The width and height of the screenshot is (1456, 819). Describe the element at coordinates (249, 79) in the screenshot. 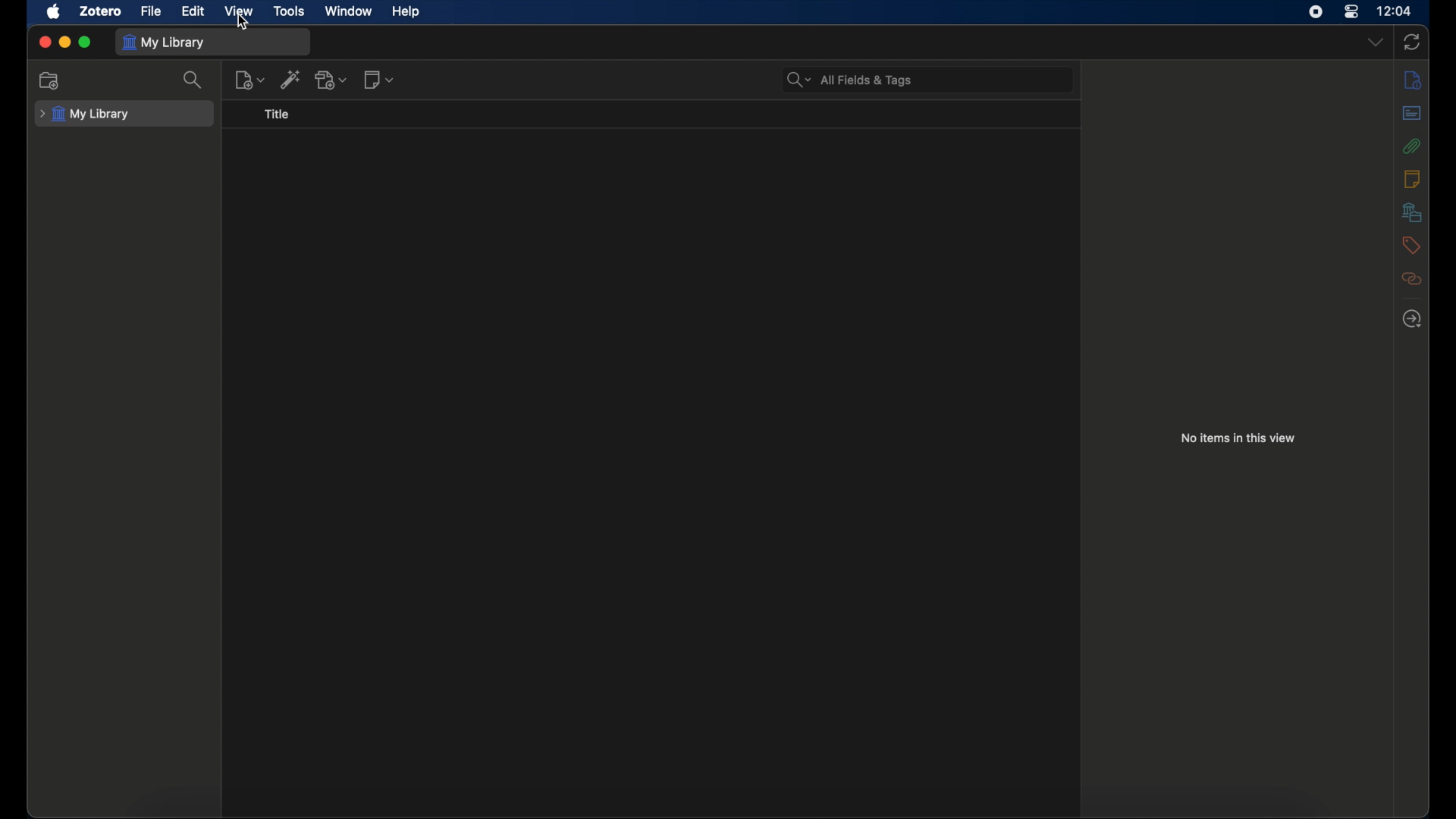

I see `new item` at that location.